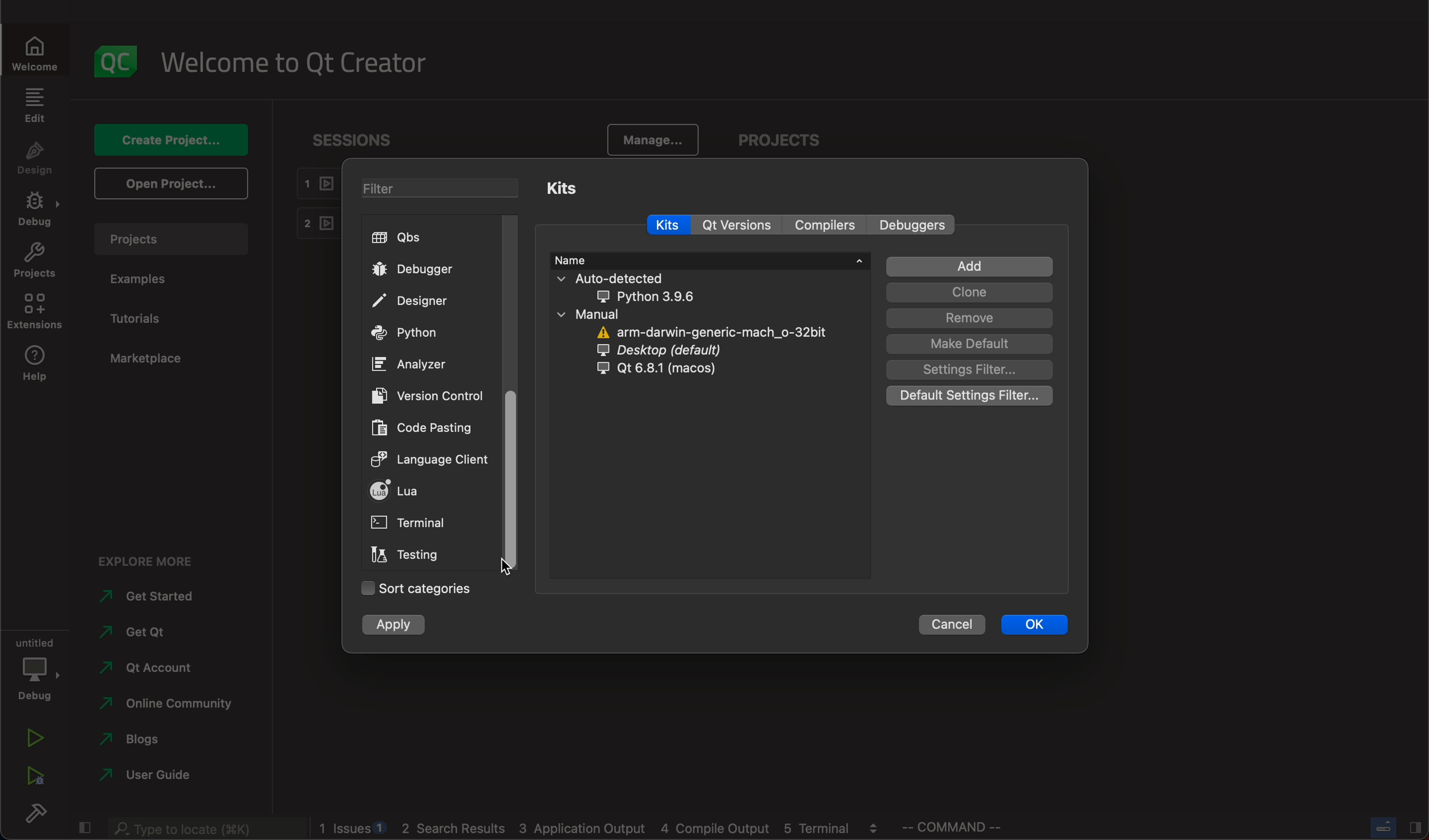  I want to click on create, so click(167, 142).